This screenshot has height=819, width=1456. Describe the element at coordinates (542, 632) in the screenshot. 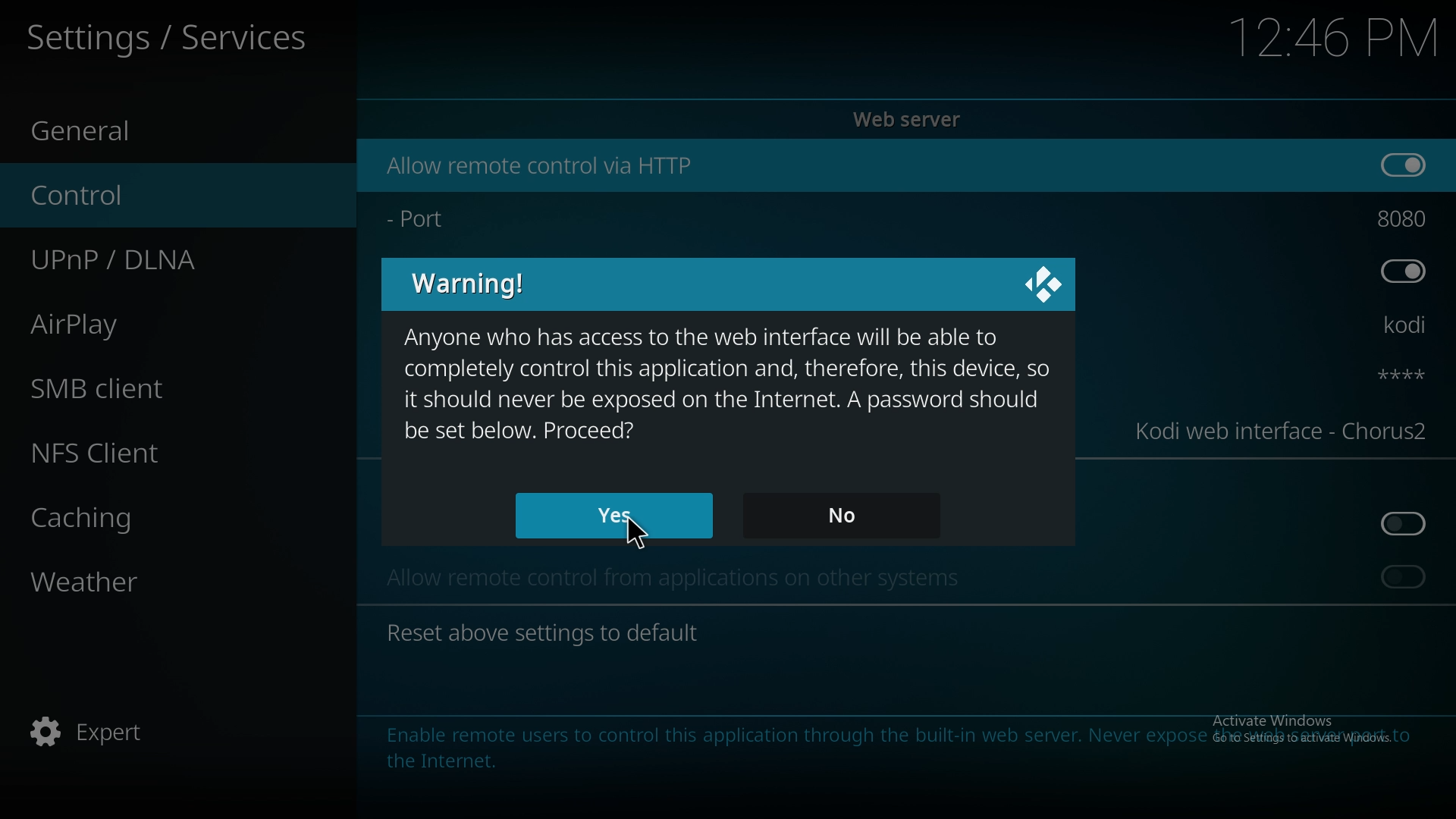

I see `reset above settings to default` at that location.